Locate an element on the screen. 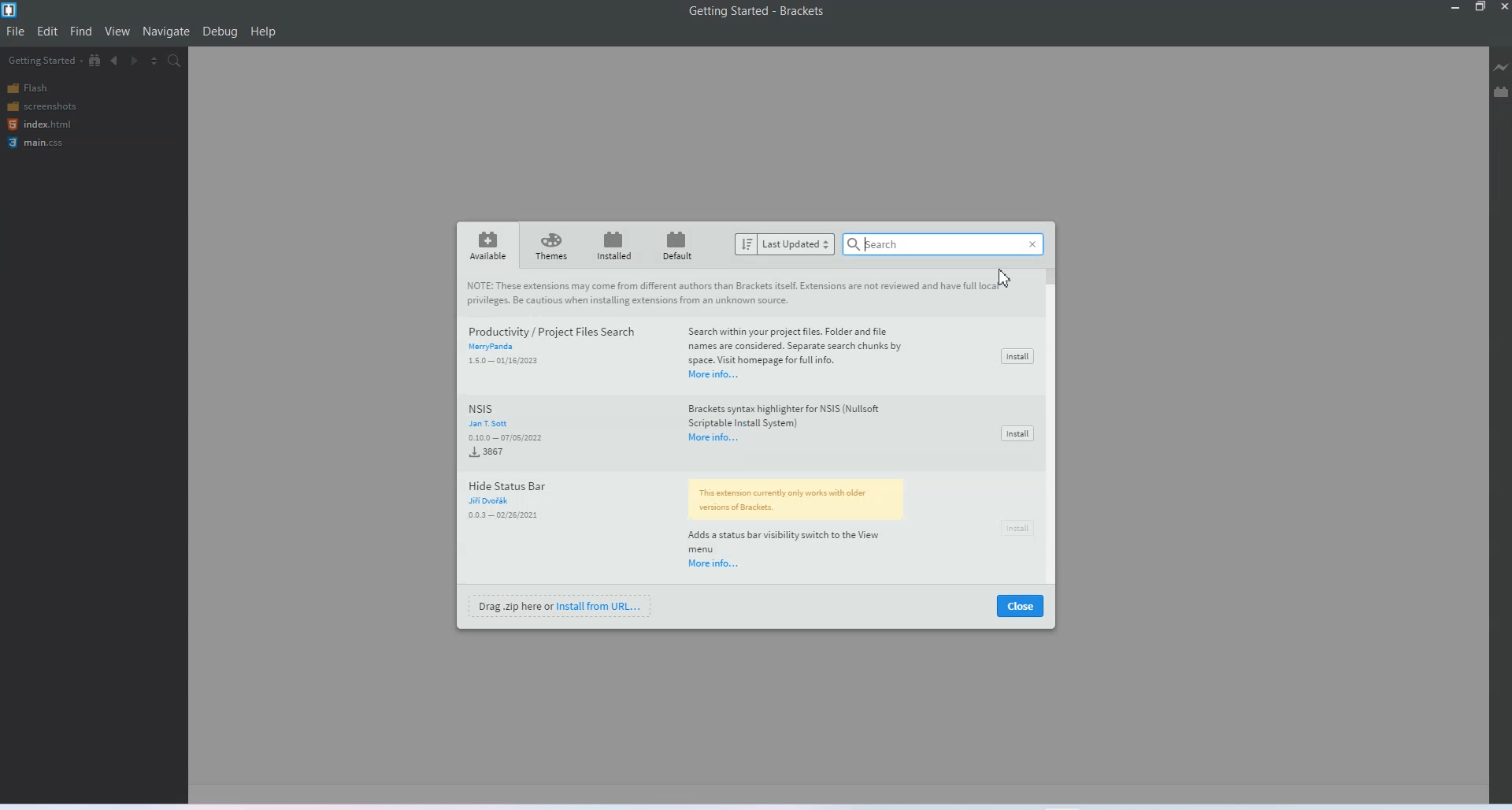 The height and width of the screenshot is (810, 1512). Search bar is located at coordinates (943, 245).